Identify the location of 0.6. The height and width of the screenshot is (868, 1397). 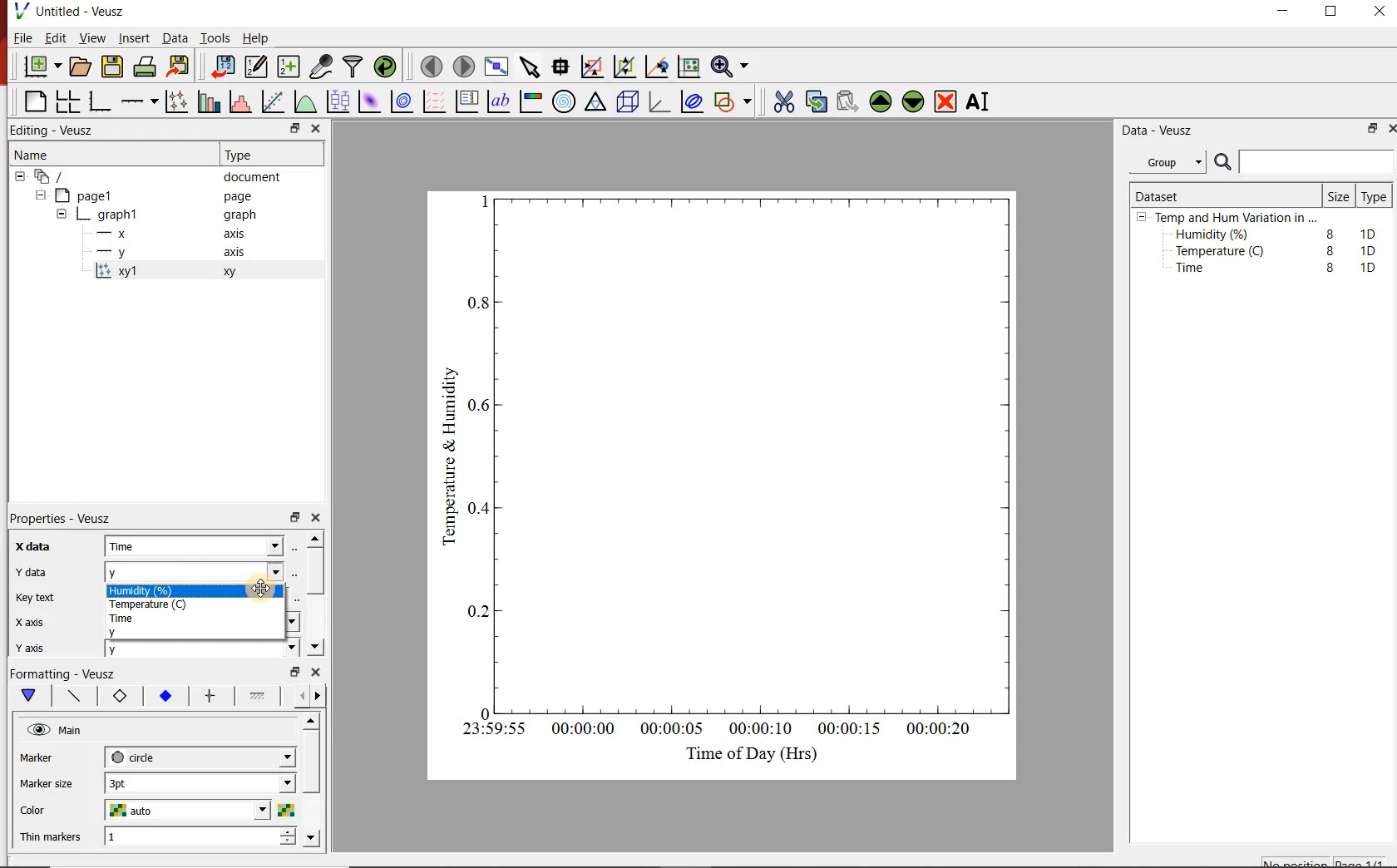
(481, 409).